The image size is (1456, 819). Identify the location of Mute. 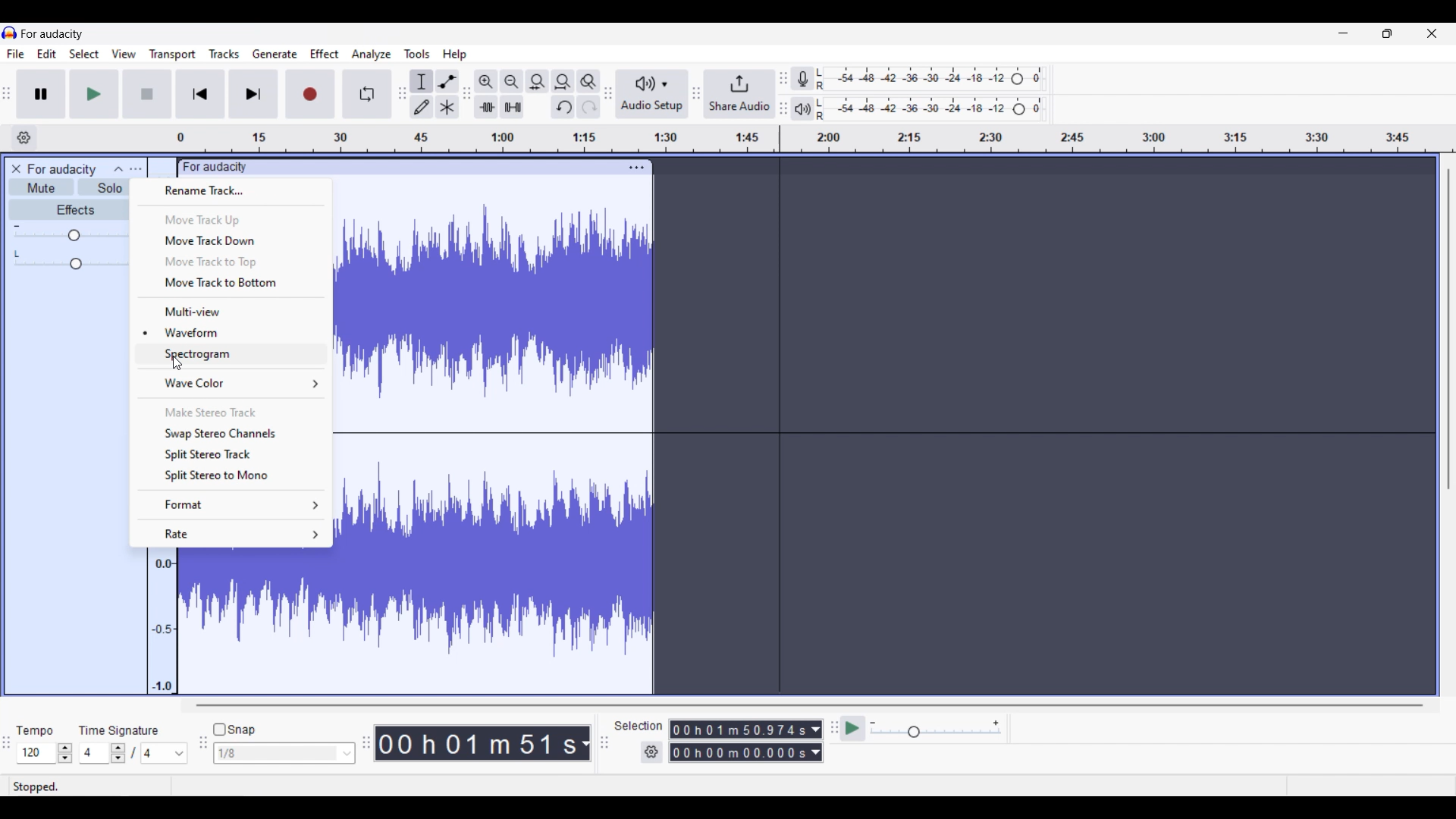
(42, 187).